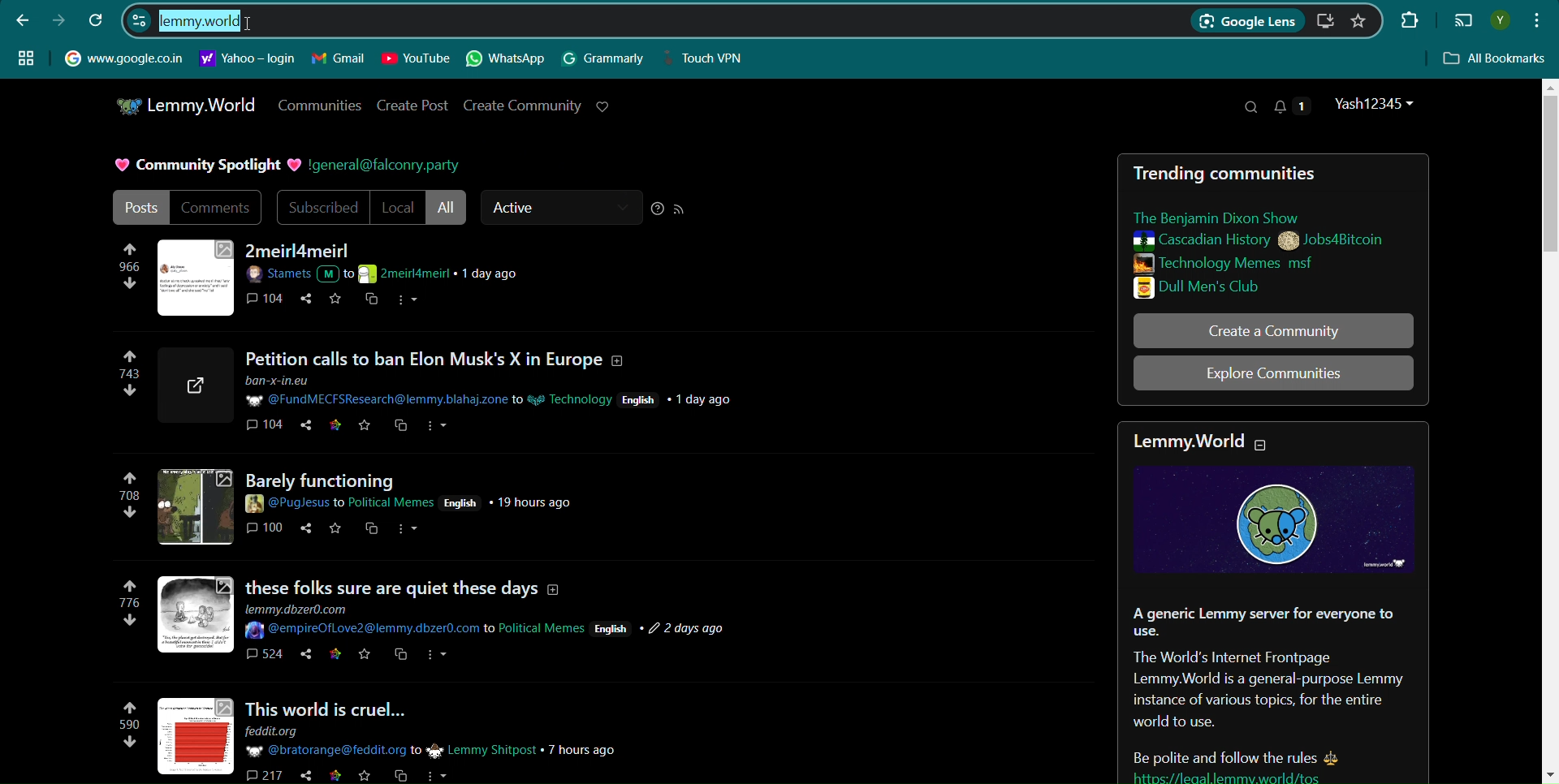  What do you see at coordinates (1539, 19) in the screenshot?
I see `Customize and control google chrome` at bounding box center [1539, 19].